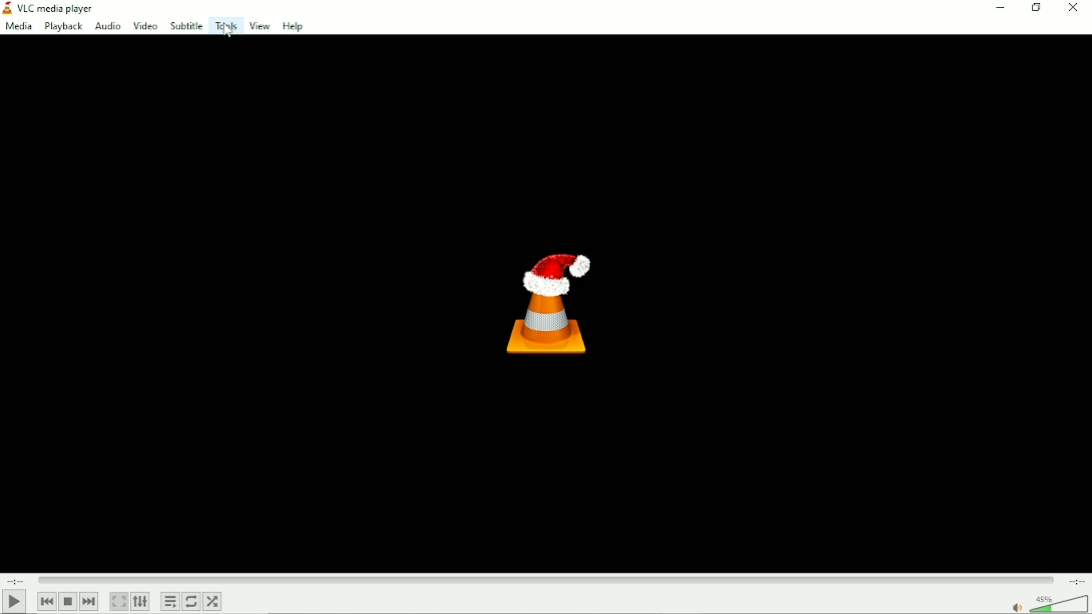  What do you see at coordinates (50, 8) in the screenshot?
I see `VLC media player` at bounding box center [50, 8].